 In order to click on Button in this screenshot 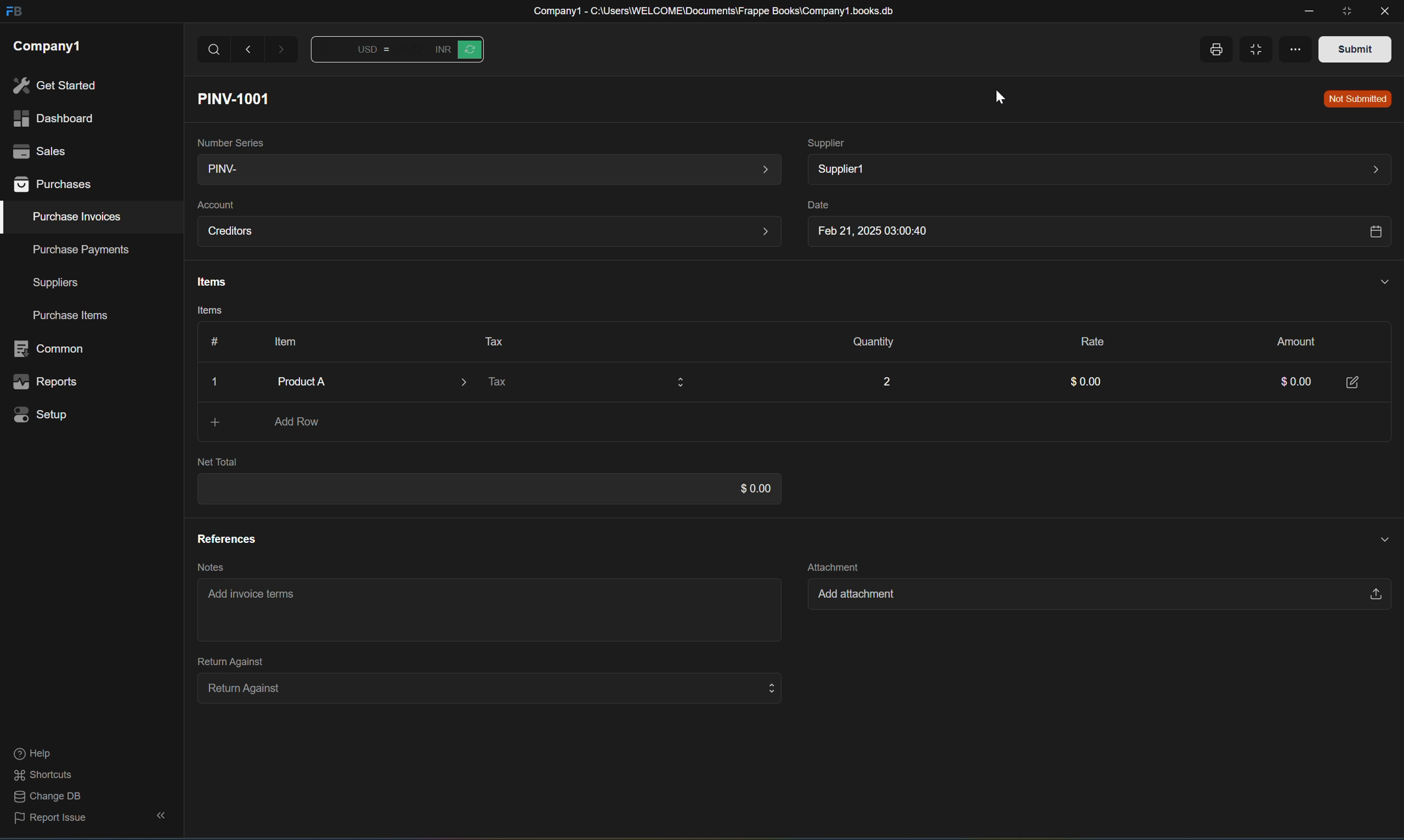, I will do `click(357, 52)`.